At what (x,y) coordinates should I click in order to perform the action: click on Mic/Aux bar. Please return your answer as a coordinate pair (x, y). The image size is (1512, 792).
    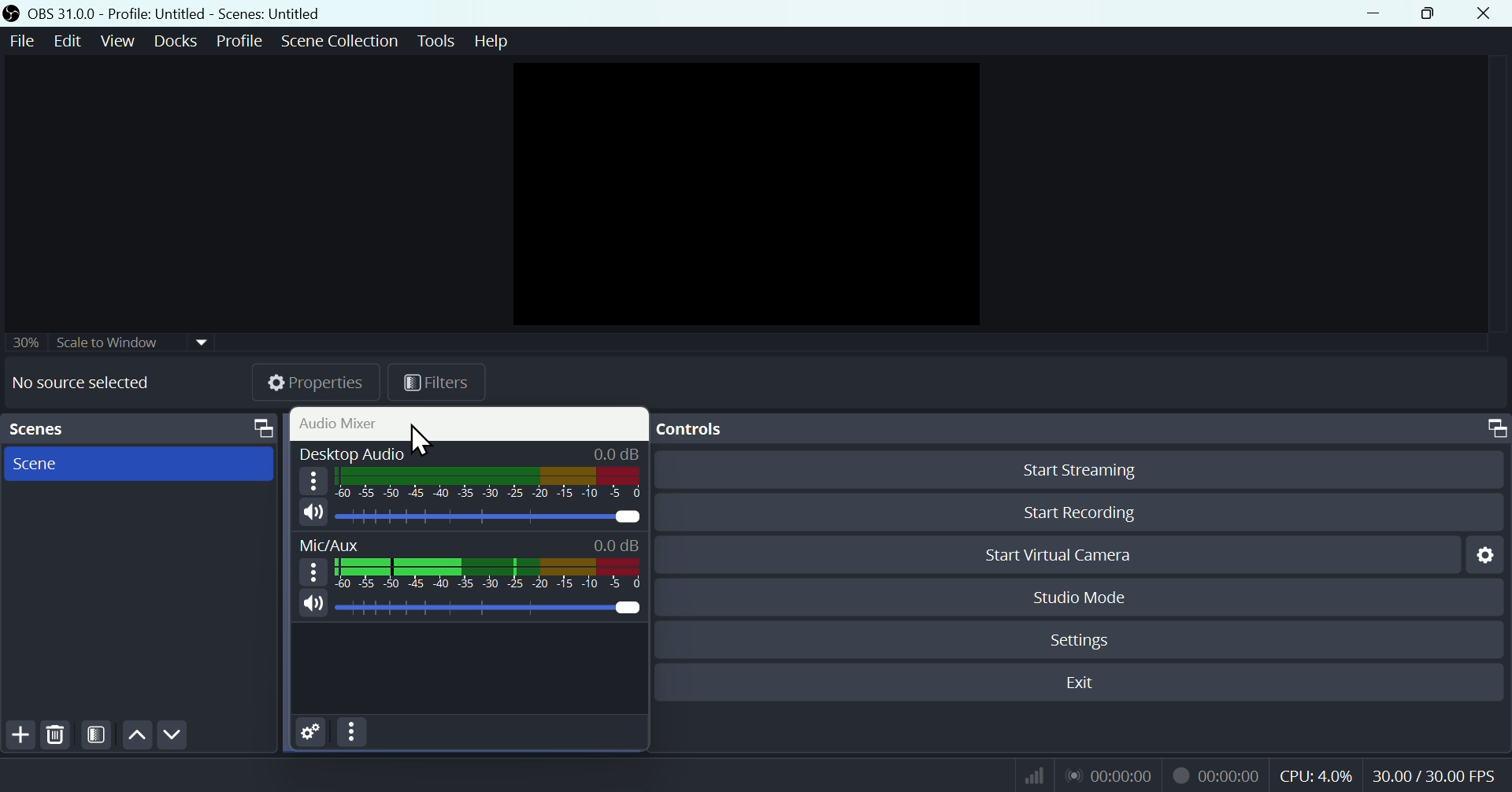
    Looking at the image, I should click on (488, 572).